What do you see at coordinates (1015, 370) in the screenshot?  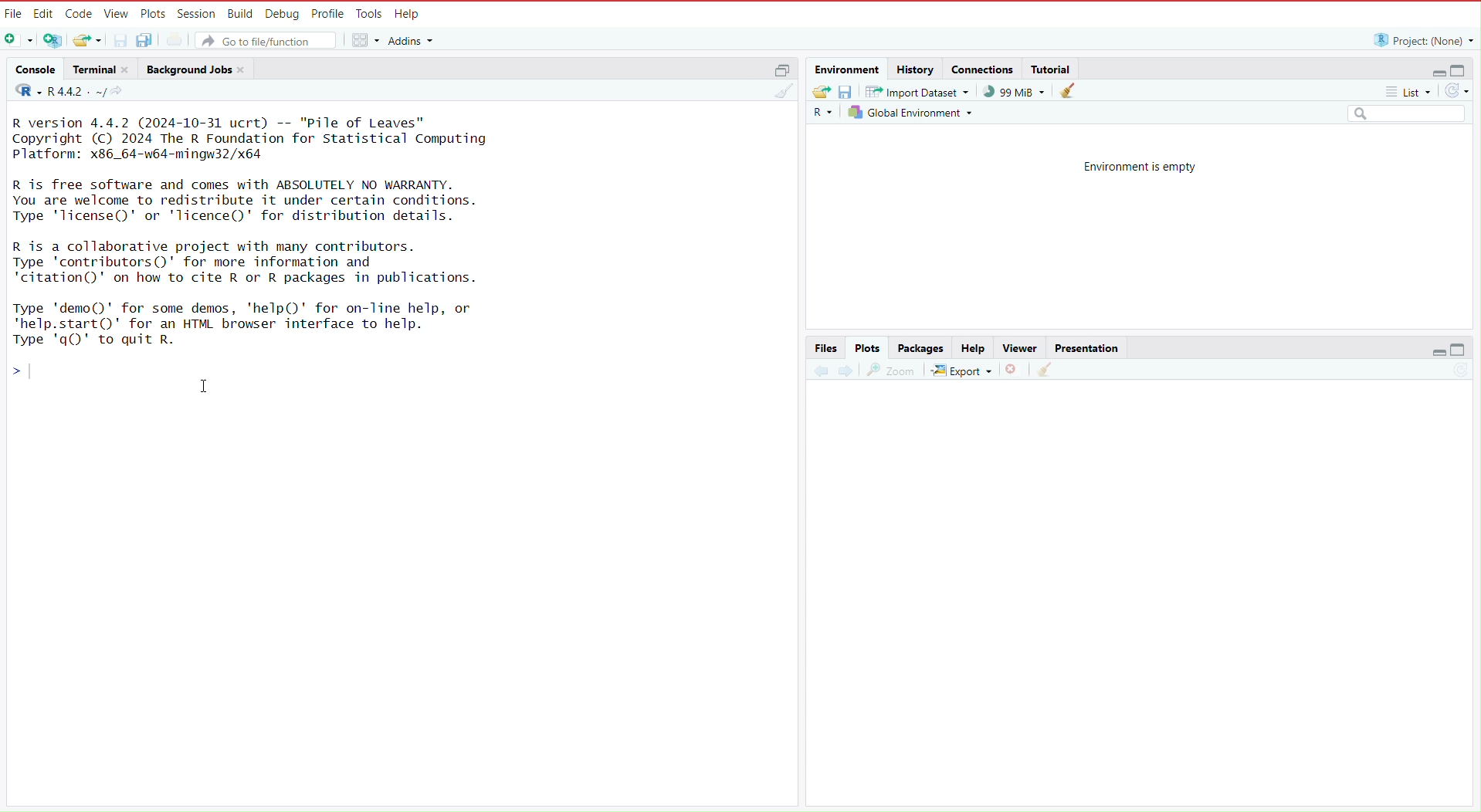 I see `remove the current plot` at bounding box center [1015, 370].